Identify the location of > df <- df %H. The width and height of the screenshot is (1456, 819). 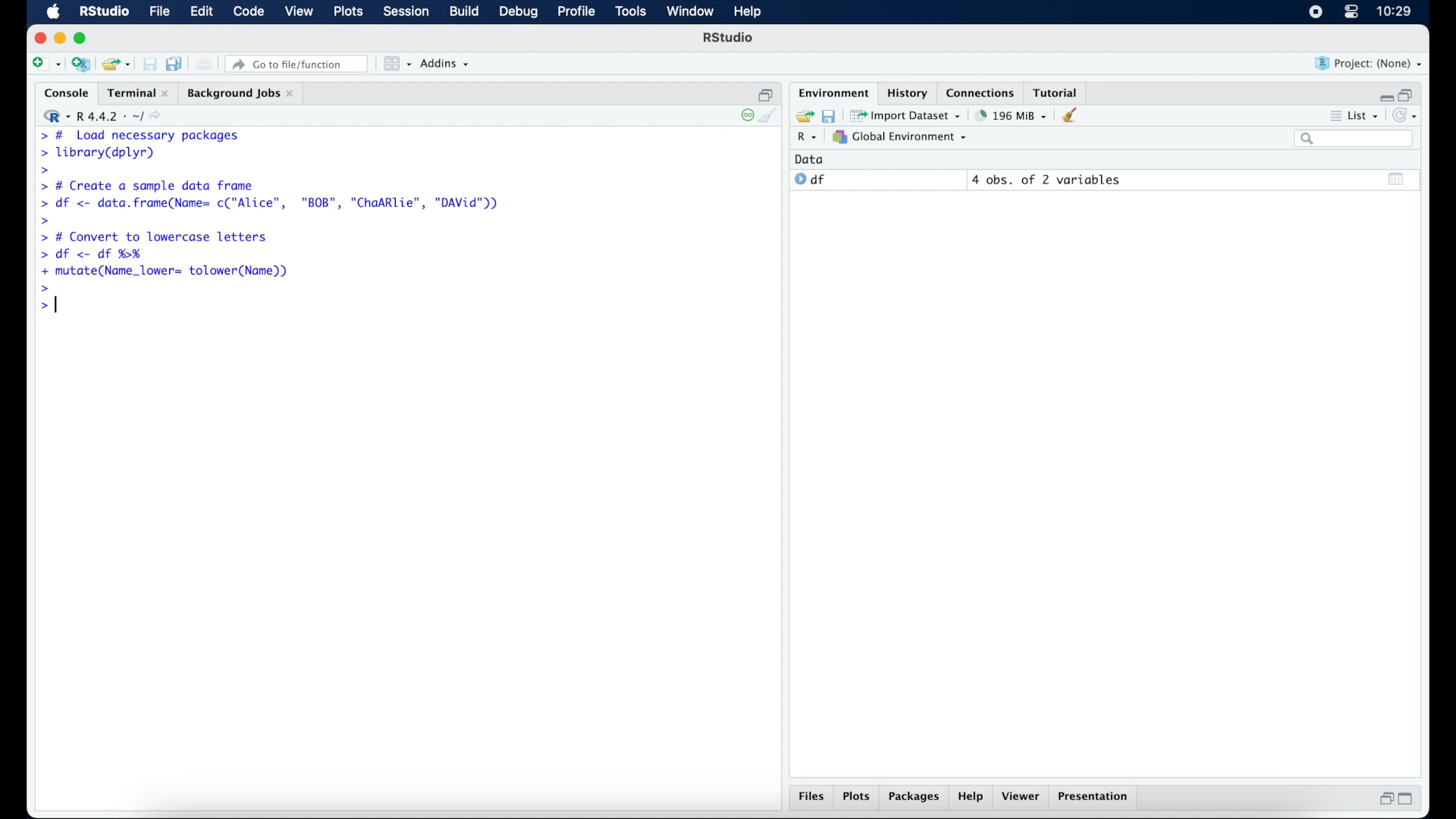
(96, 256).